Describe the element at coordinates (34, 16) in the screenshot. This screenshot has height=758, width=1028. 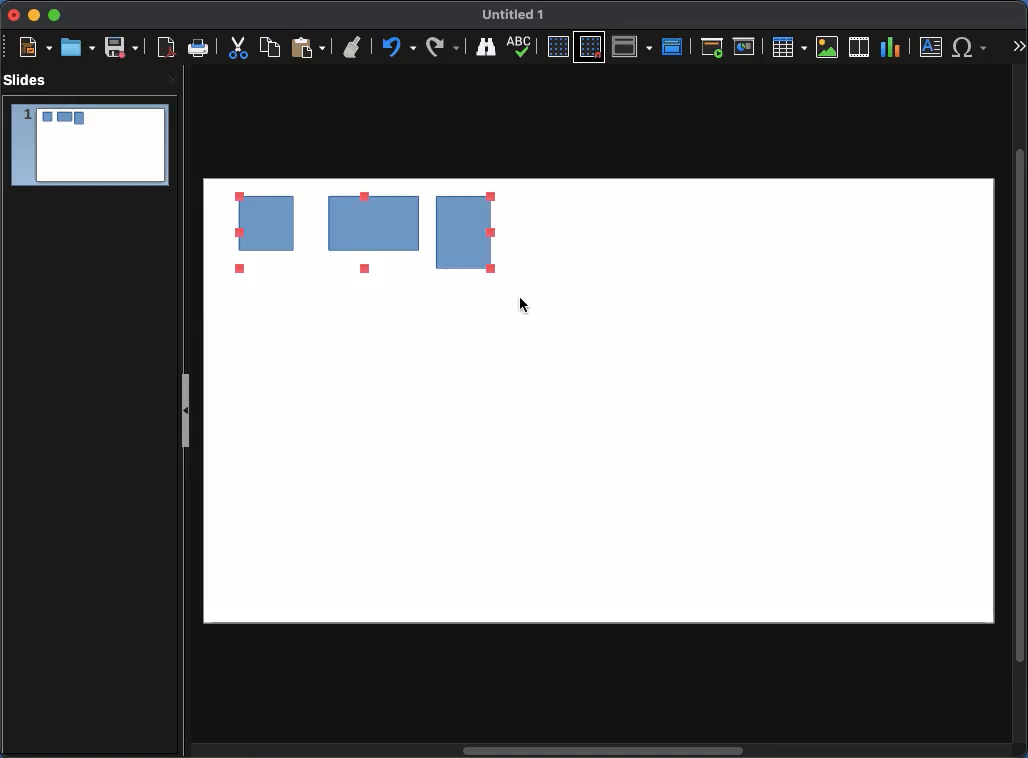
I see `Minimize` at that location.